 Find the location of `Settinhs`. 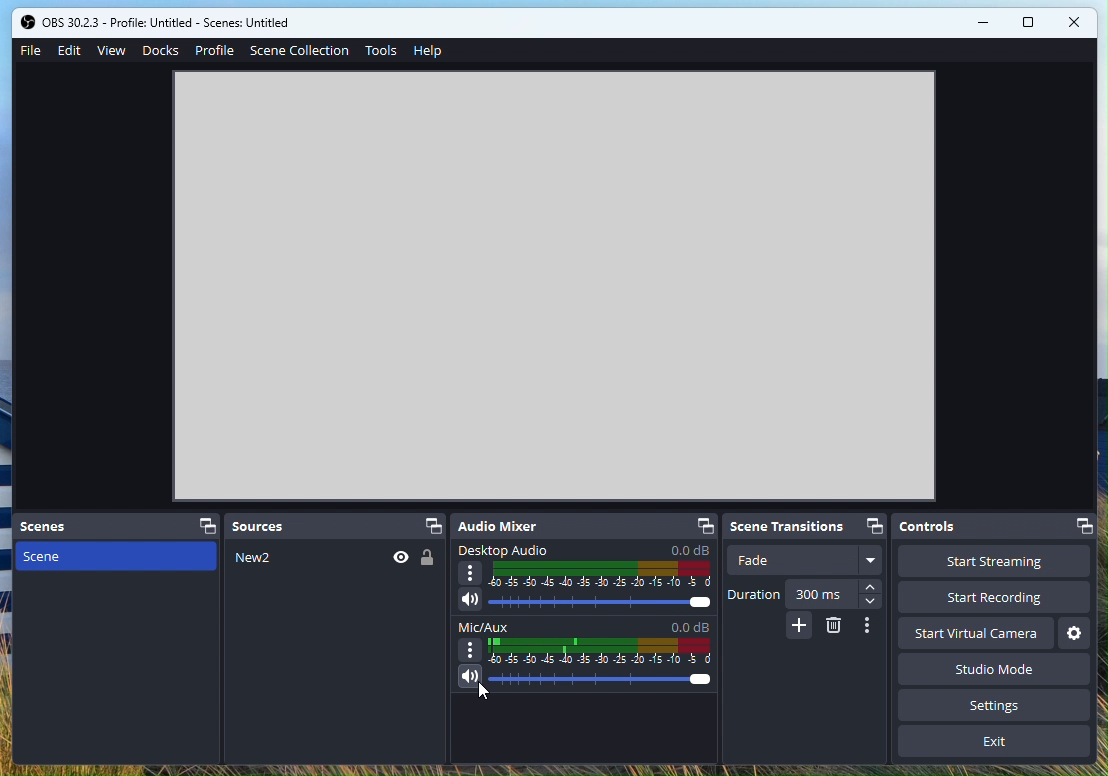

Settinhs is located at coordinates (1004, 705).